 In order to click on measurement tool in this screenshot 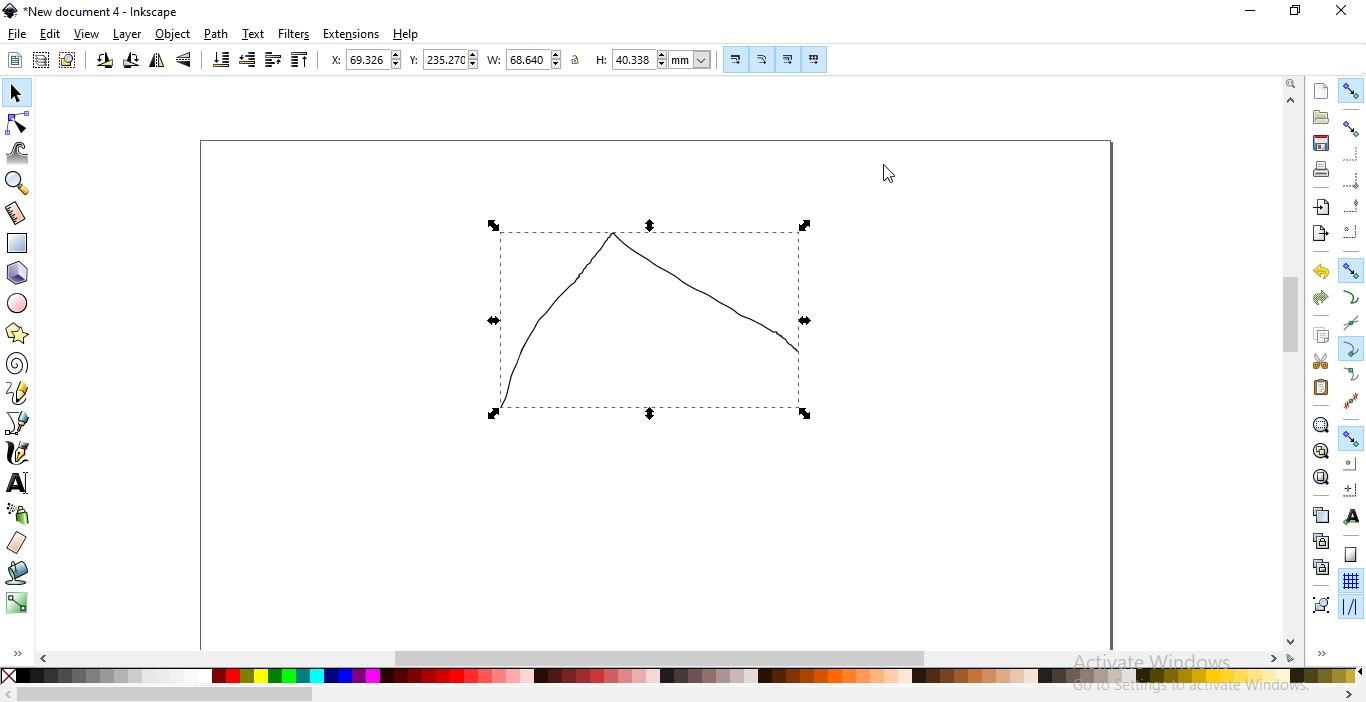, I will do `click(16, 215)`.